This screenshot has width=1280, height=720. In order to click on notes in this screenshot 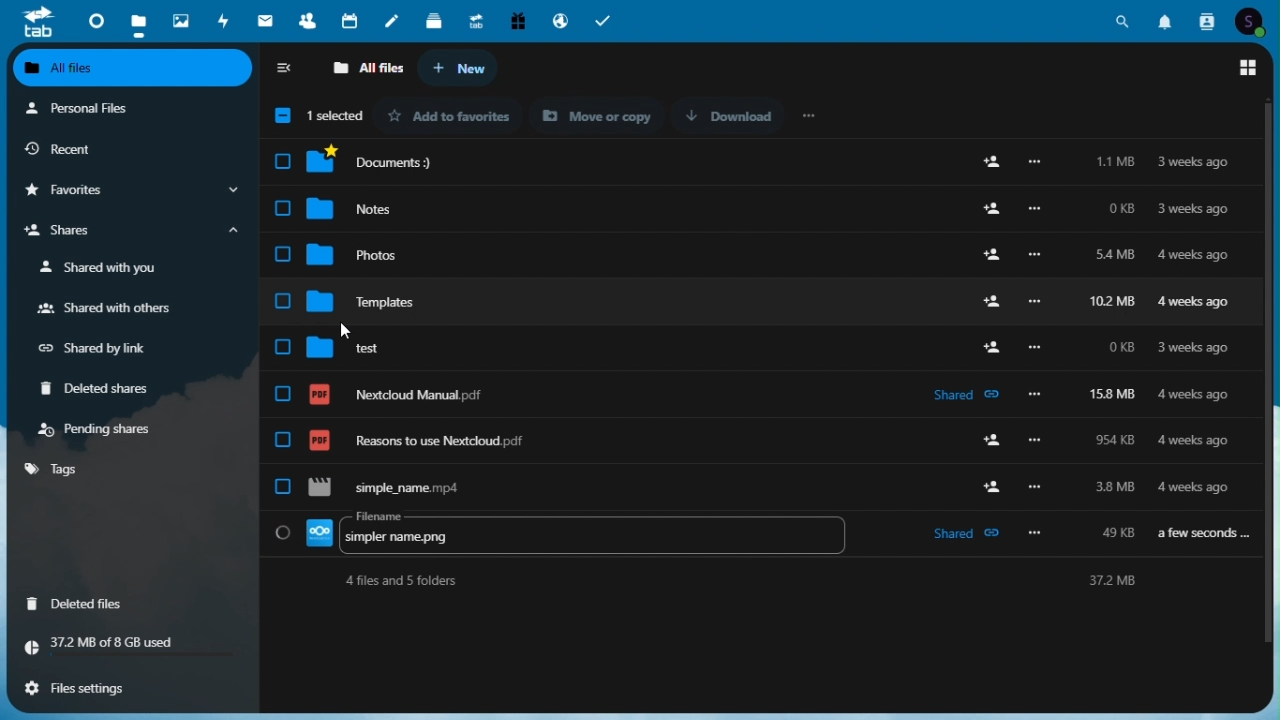, I will do `click(395, 17)`.